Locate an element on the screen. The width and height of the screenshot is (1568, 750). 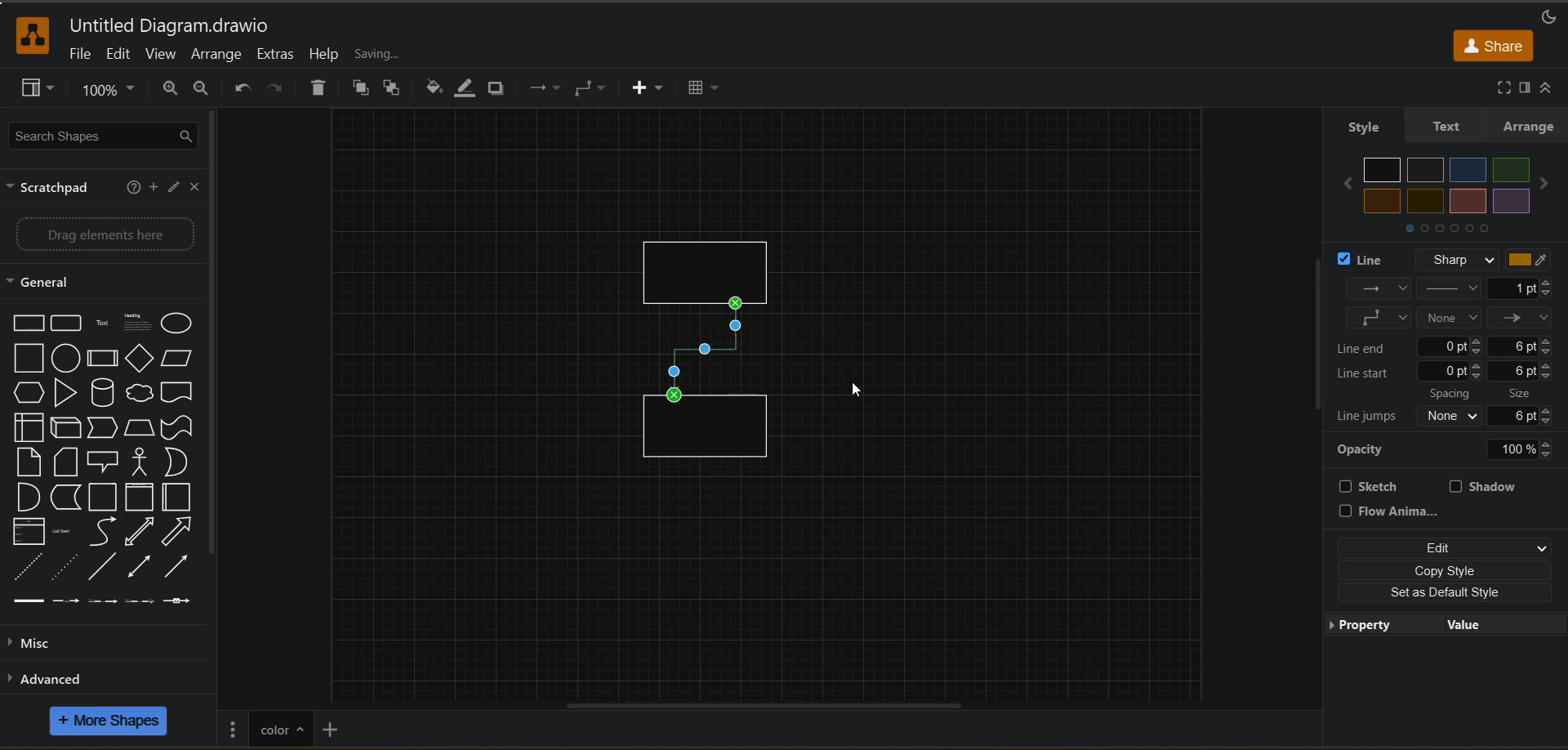
fullscreen is located at coordinates (1499, 87).